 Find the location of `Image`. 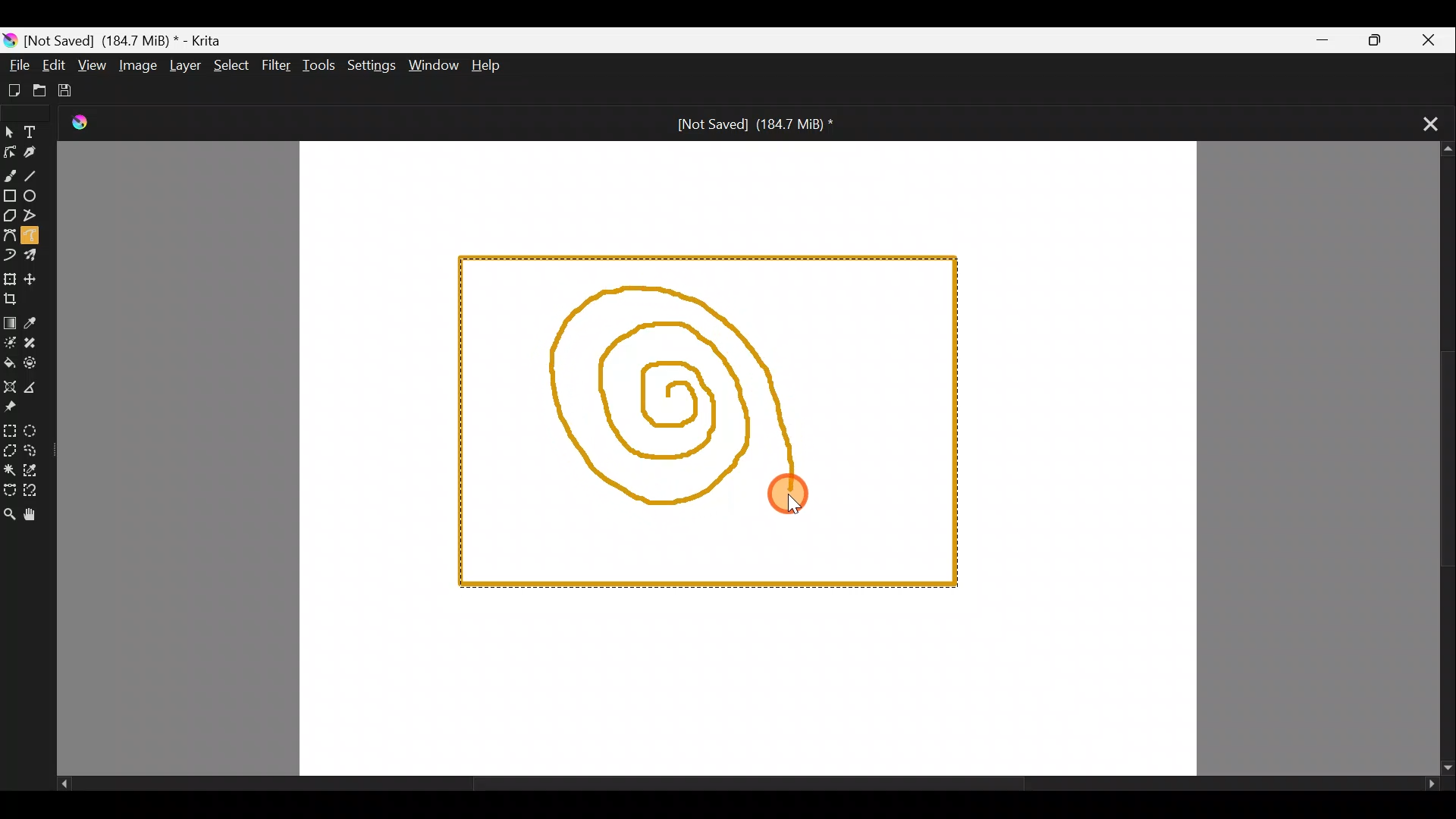

Image is located at coordinates (142, 66).